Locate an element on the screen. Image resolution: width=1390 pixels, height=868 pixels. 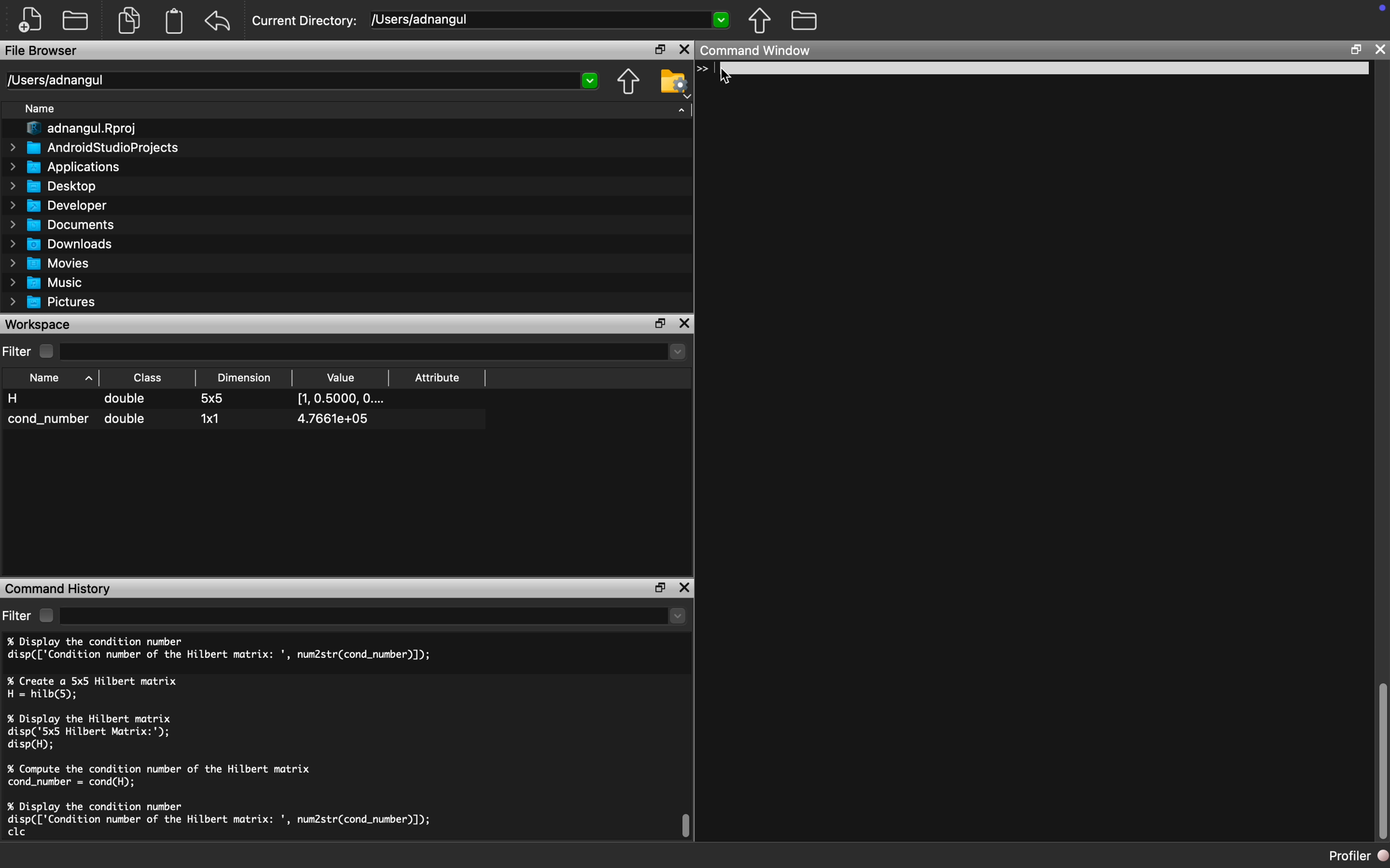
Folder is located at coordinates (804, 21).